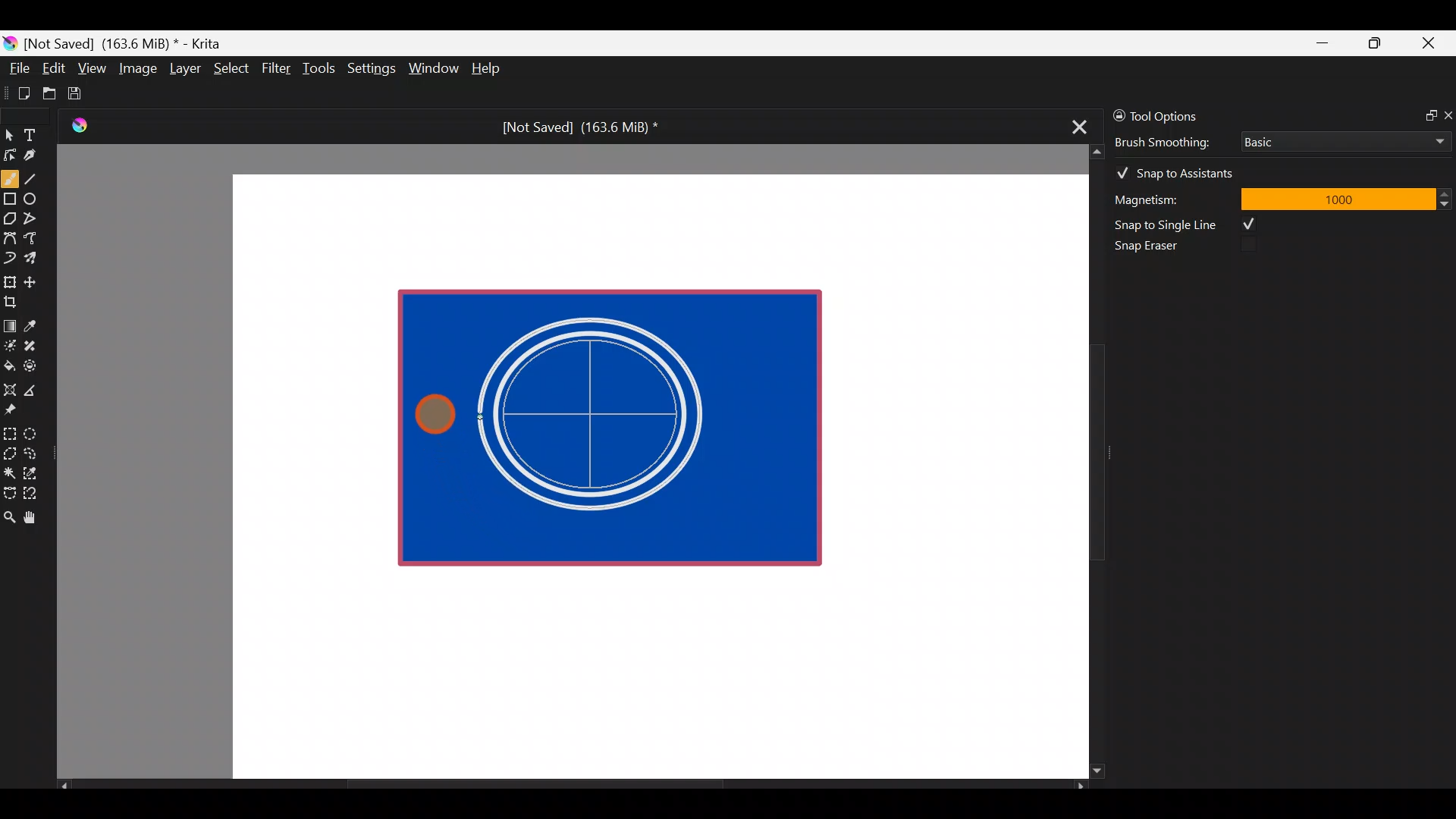 The width and height of the screenshot is (1456, 819). What do you see at coordinates (38, 134) in the screenshot?
I see `Text tool` at bounding box center [38, 134].